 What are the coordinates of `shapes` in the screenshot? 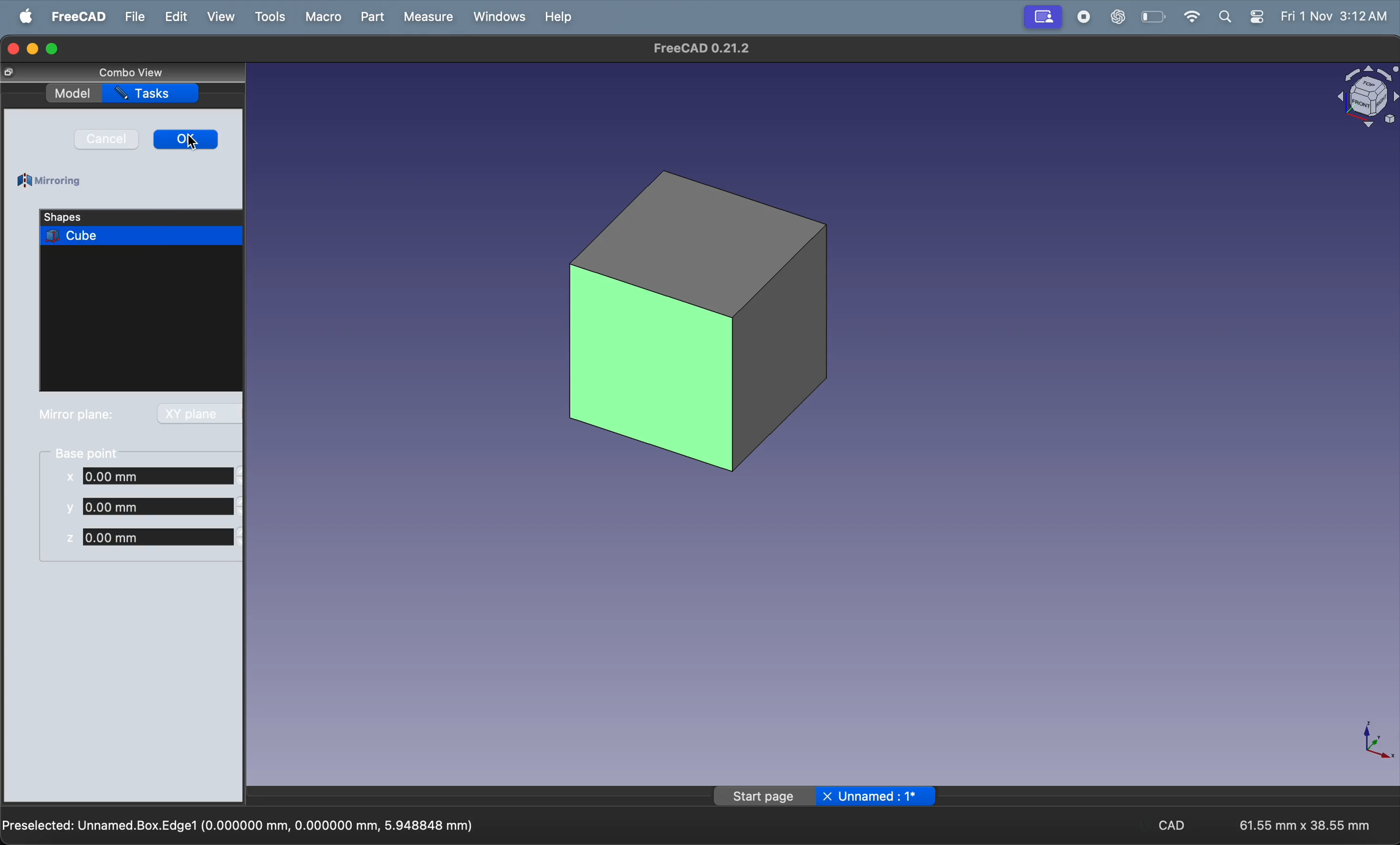 It's located at (102, 216).